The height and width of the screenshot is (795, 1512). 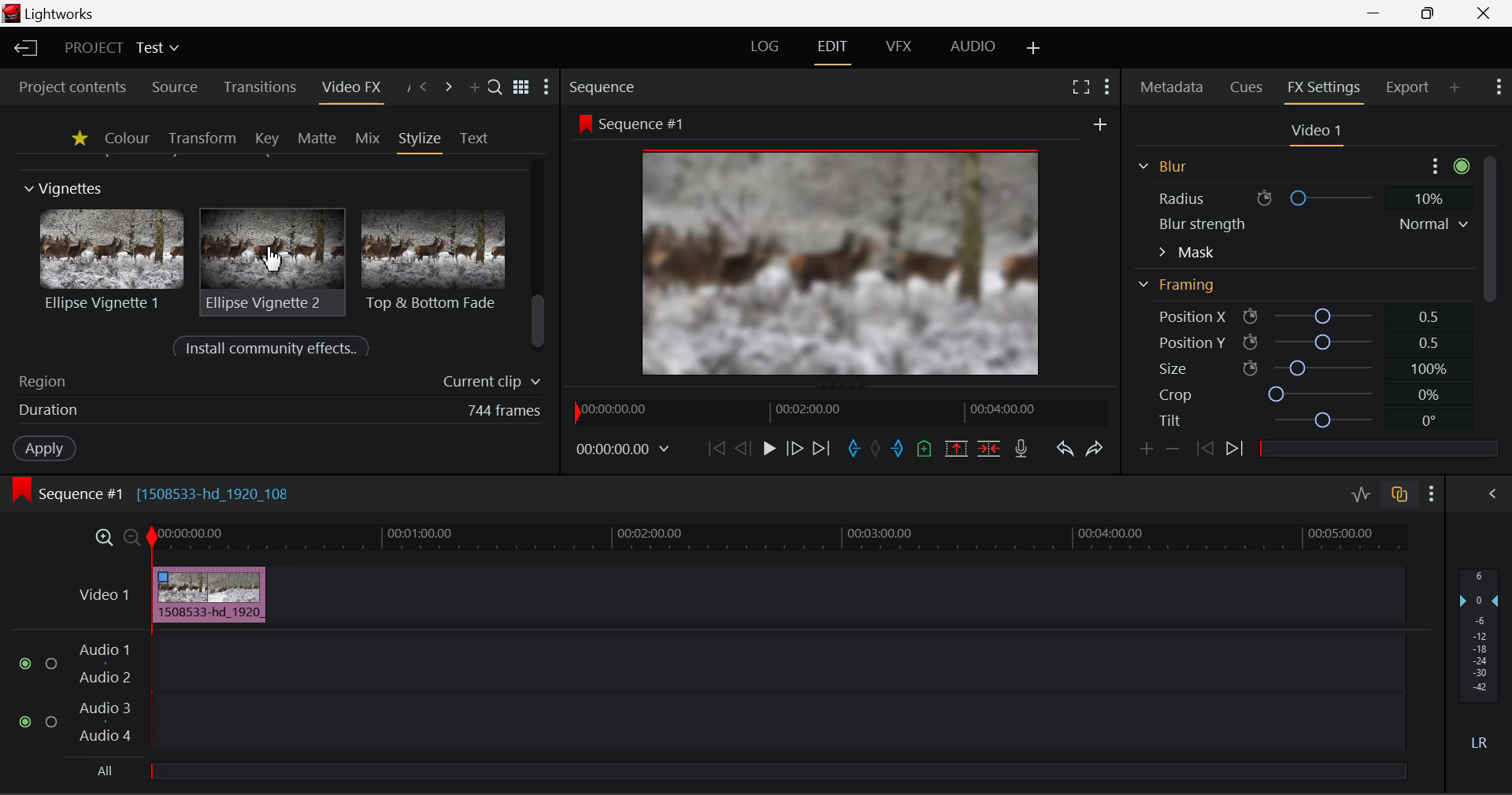 What do you see at coordinates (202, 138) in the screenshot?
I see `Transform` at bounding box center [202, 138].